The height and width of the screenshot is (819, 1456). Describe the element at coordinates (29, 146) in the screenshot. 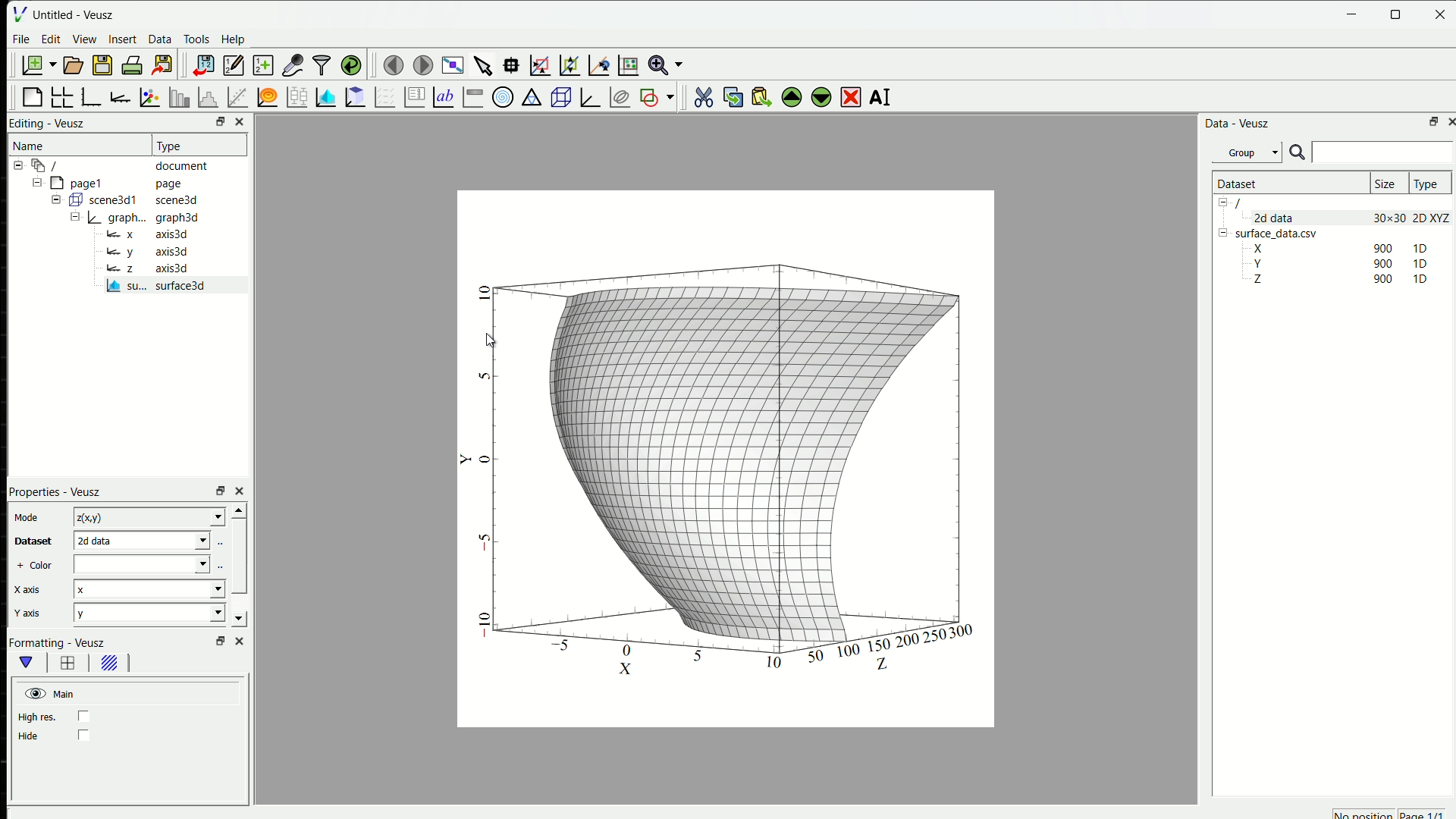

I see `Name` at that location.